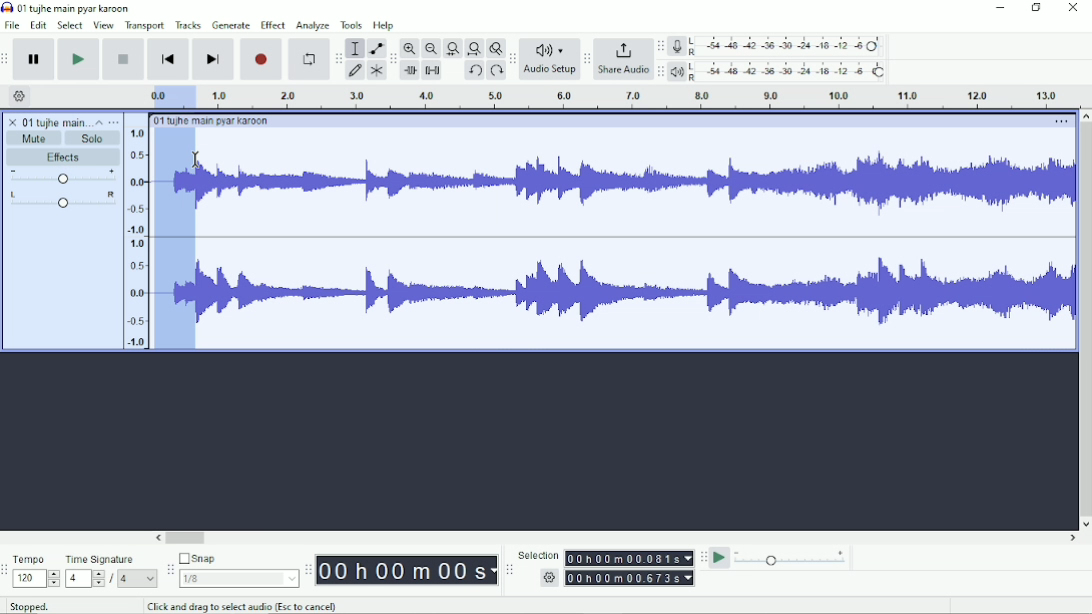  What do you see at coordinates (512, 59) in the screenshot?
I see `Audacity audio setup toolbar` at bounding box center [512, 59].